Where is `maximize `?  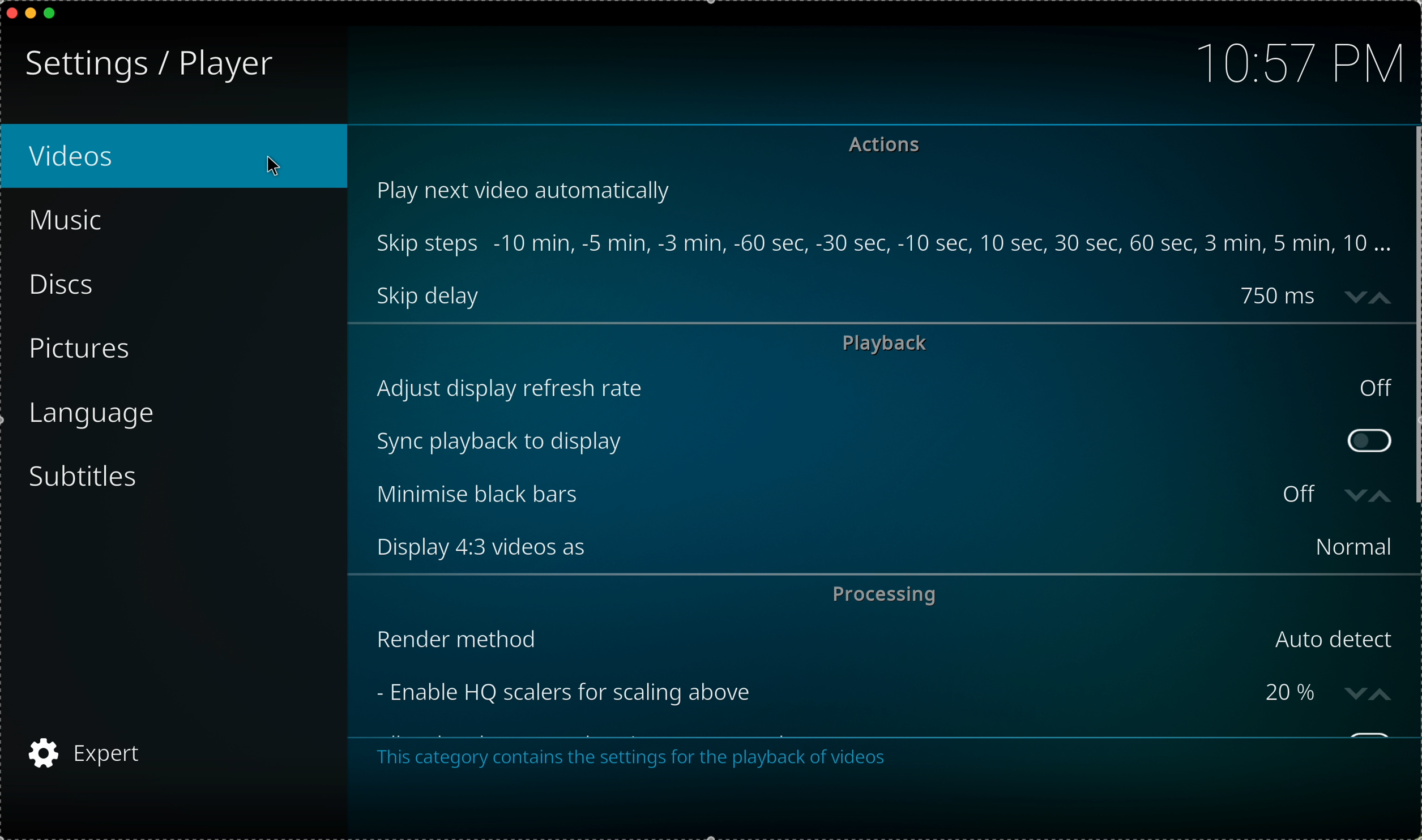 maximize  is located at coordinates (55, 14).